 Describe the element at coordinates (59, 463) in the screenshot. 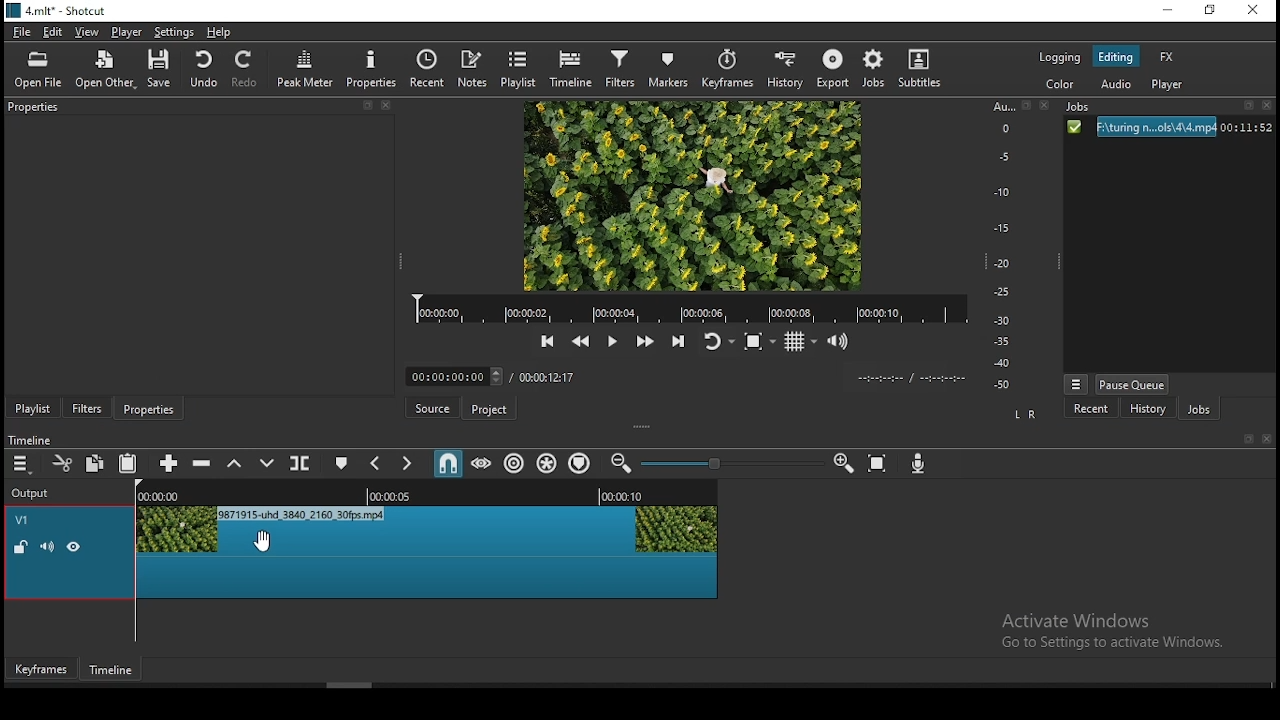

I see `cut` at that location.